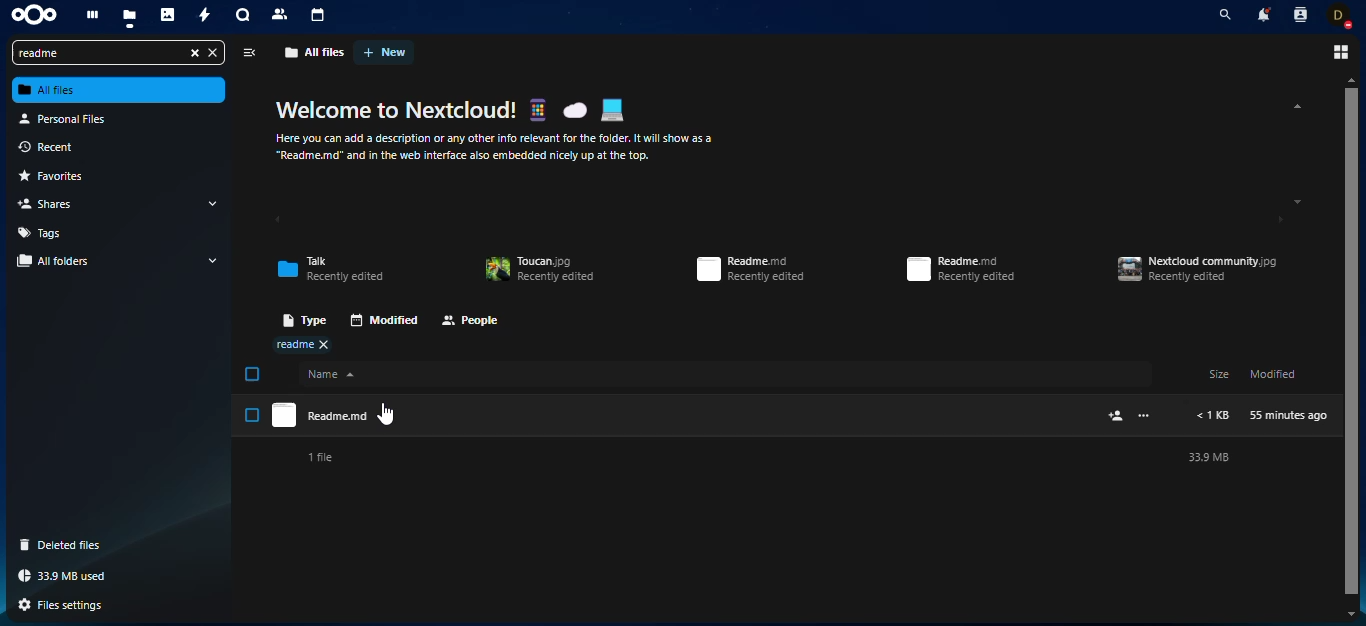  Describe the element at coordinates (726, 374) in the screenshot. I see `name` at that location.